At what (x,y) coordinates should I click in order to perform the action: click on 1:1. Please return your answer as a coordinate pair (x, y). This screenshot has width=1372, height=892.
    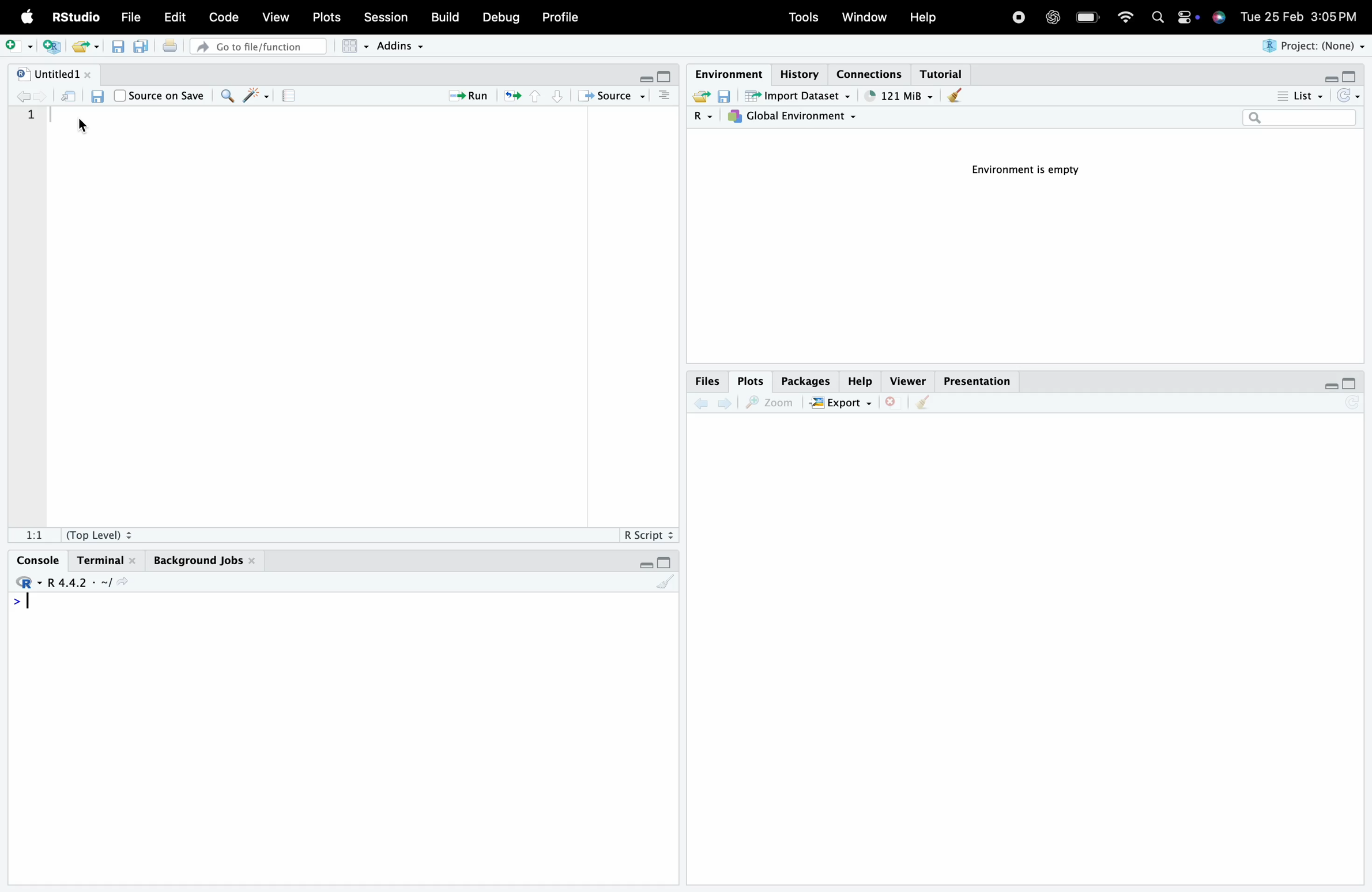
    Looking at the image, I should click on (33, 535).